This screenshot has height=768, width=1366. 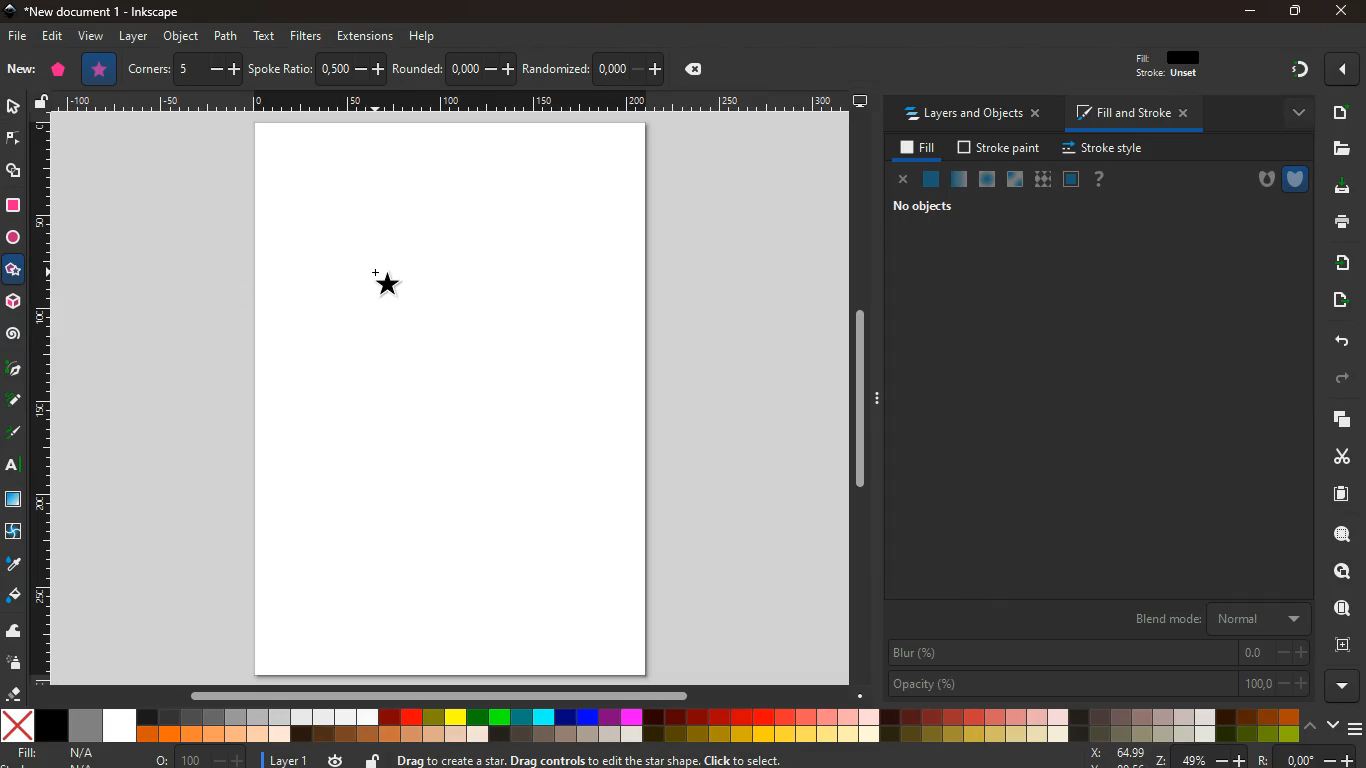 I want to click on menu, so click(x=1356, y=728).